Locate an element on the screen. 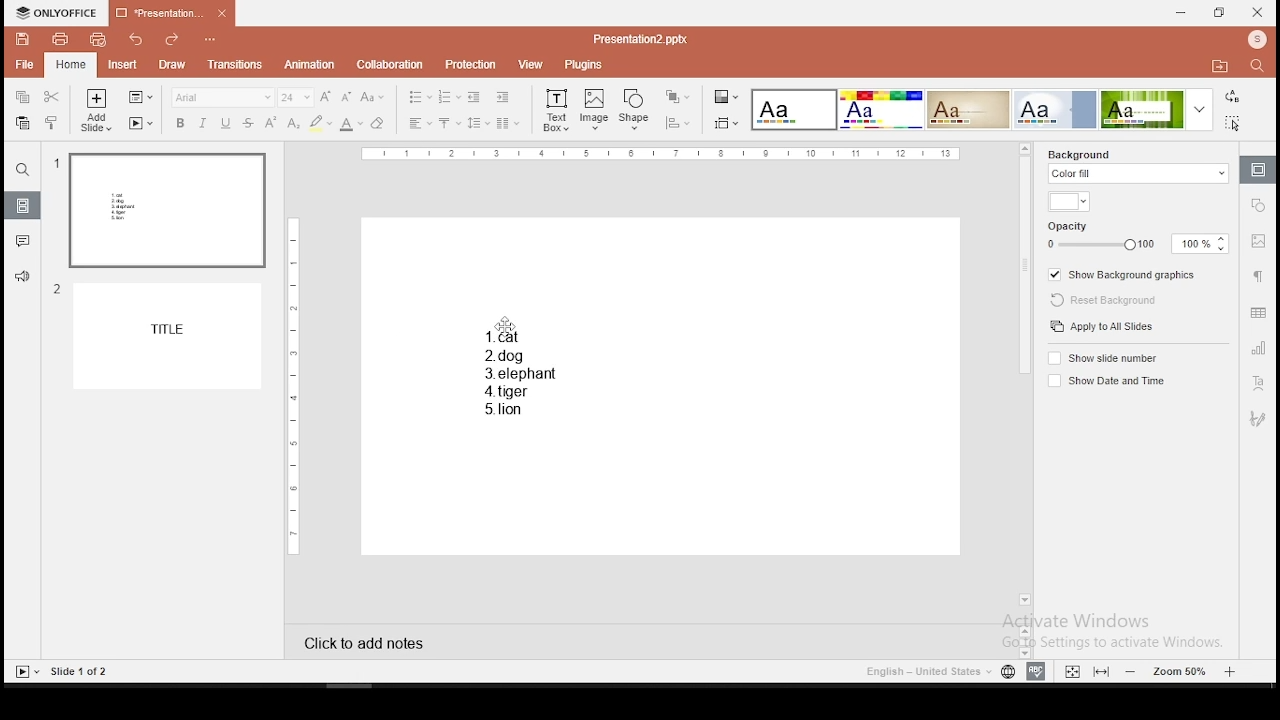  paragraph settings is located at coordinates (1257, 278).